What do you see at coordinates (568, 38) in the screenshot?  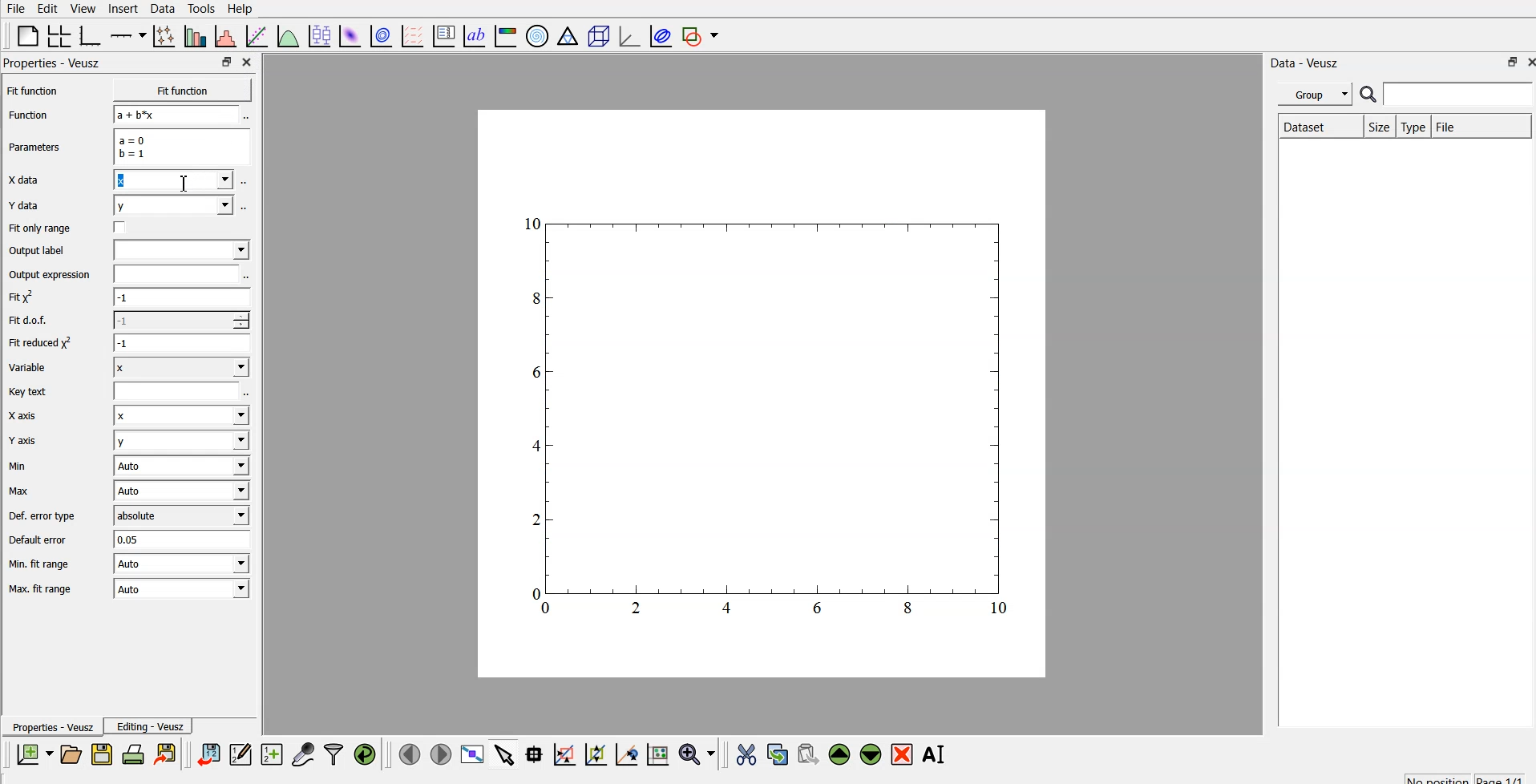 I see `ternary graph` at bounding box center [568, 38].